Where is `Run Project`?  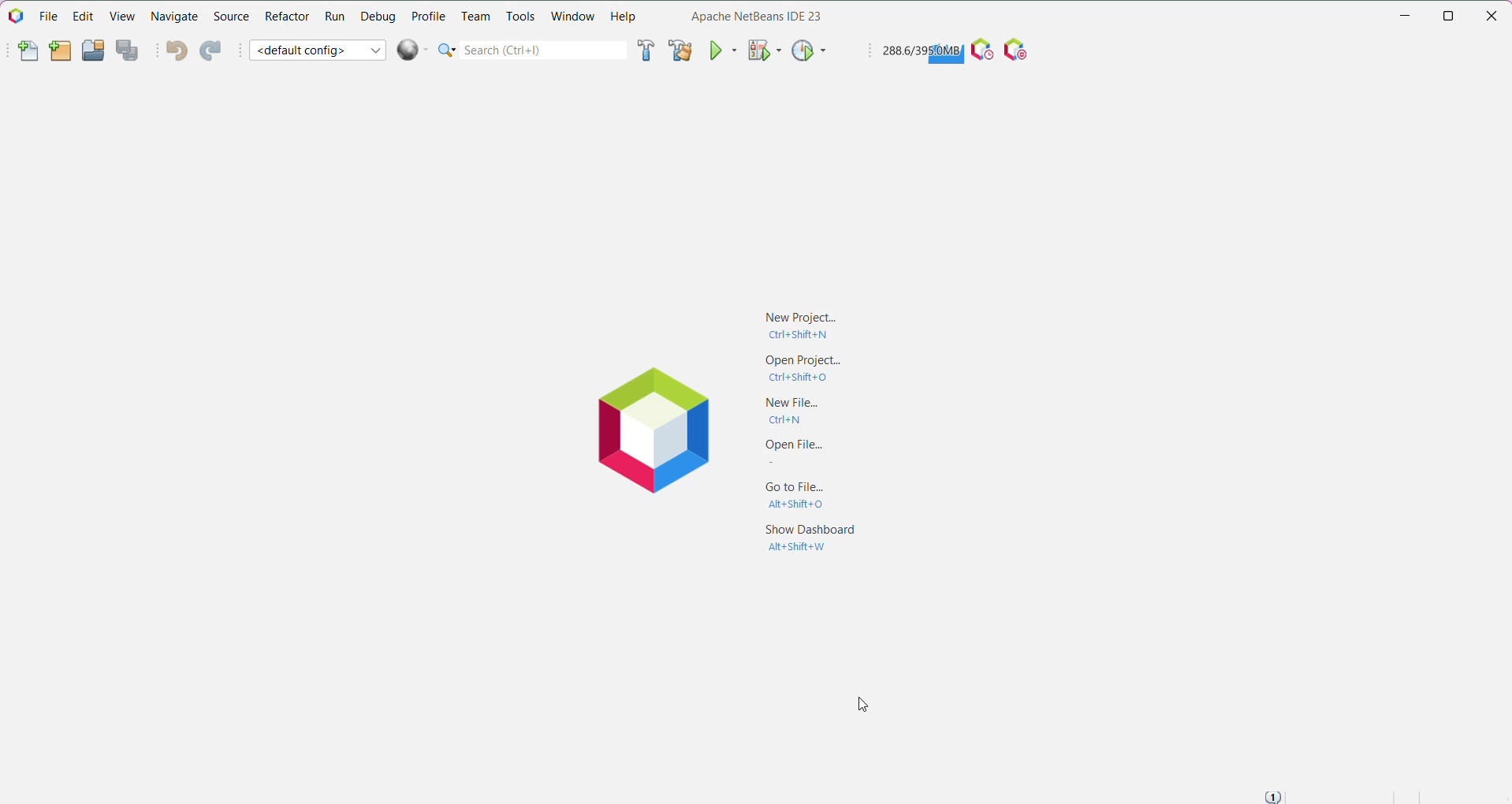 Run Project is located at coordinates (723, 50).